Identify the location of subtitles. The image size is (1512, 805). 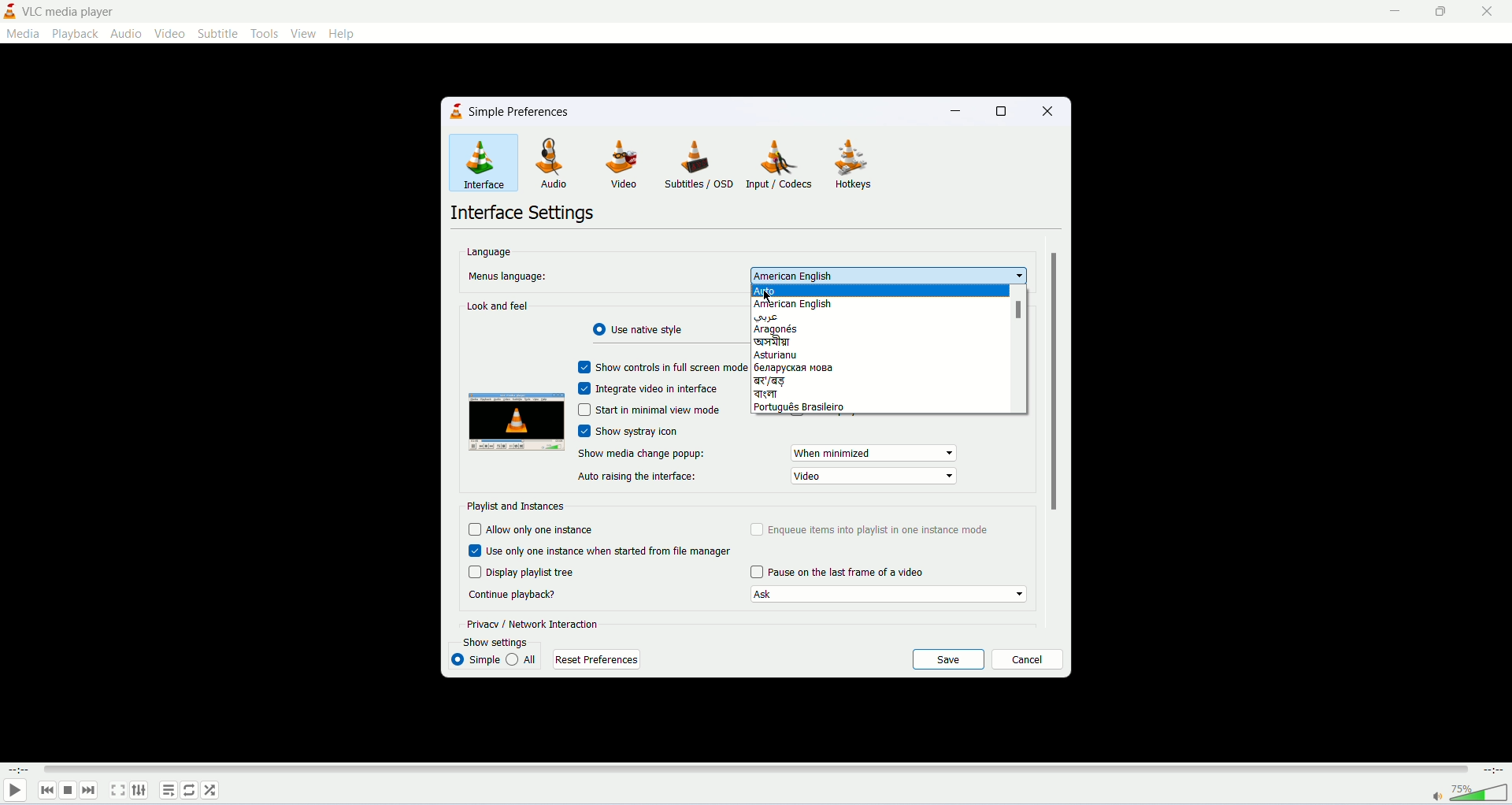
(697, 164).